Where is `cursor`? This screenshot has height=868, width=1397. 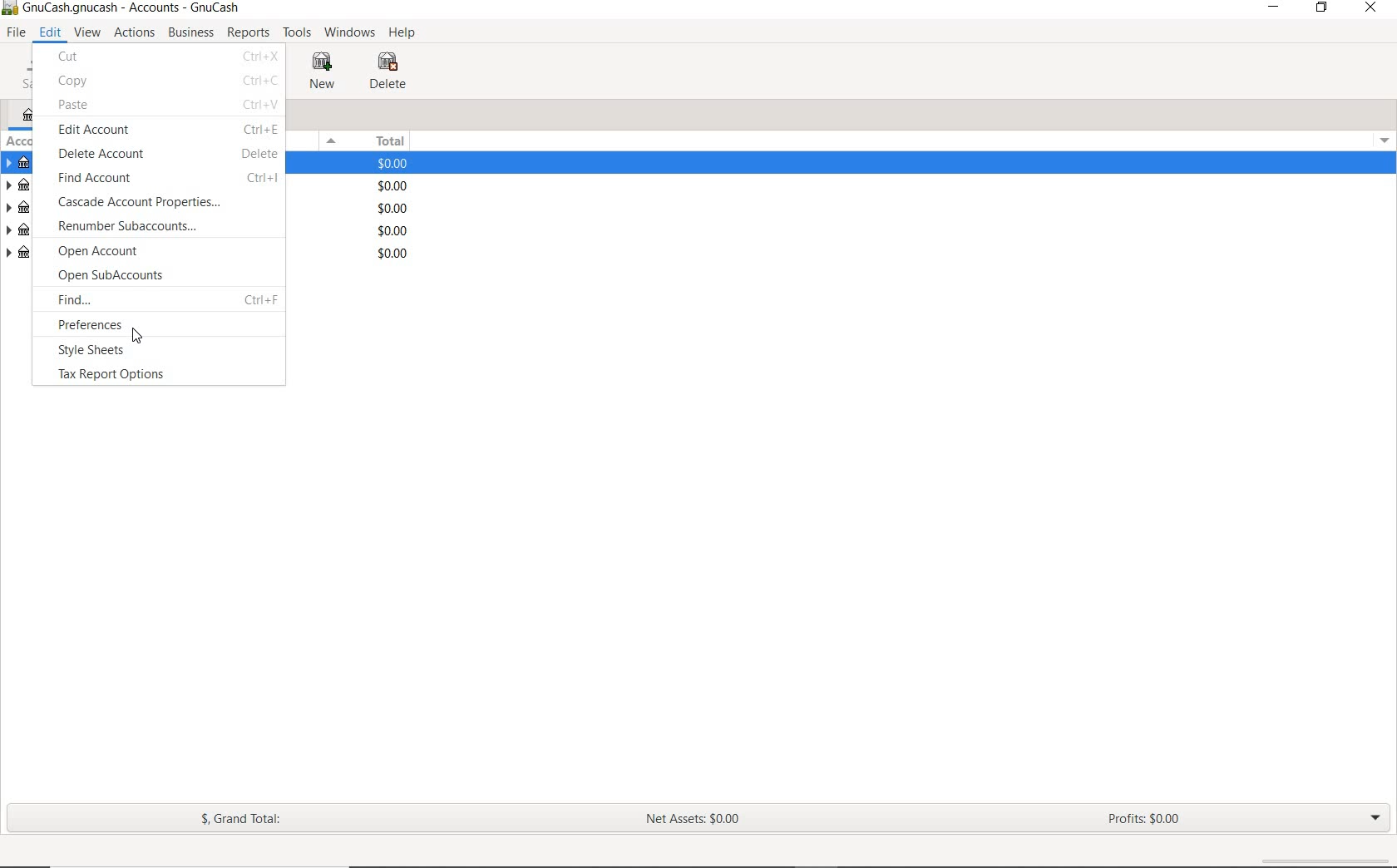 cursor is located at coordinates (136, 335).